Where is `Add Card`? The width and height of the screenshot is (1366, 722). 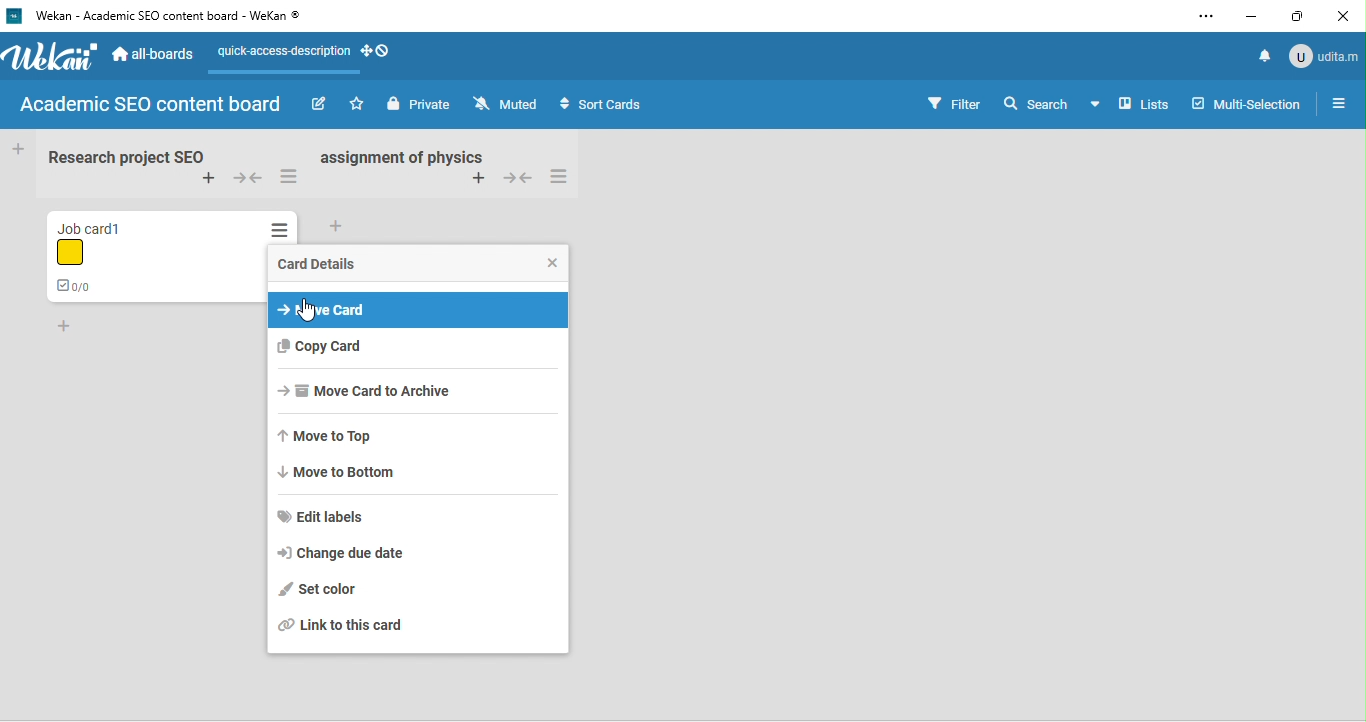
Add Card is located at coordinates (17, 148).